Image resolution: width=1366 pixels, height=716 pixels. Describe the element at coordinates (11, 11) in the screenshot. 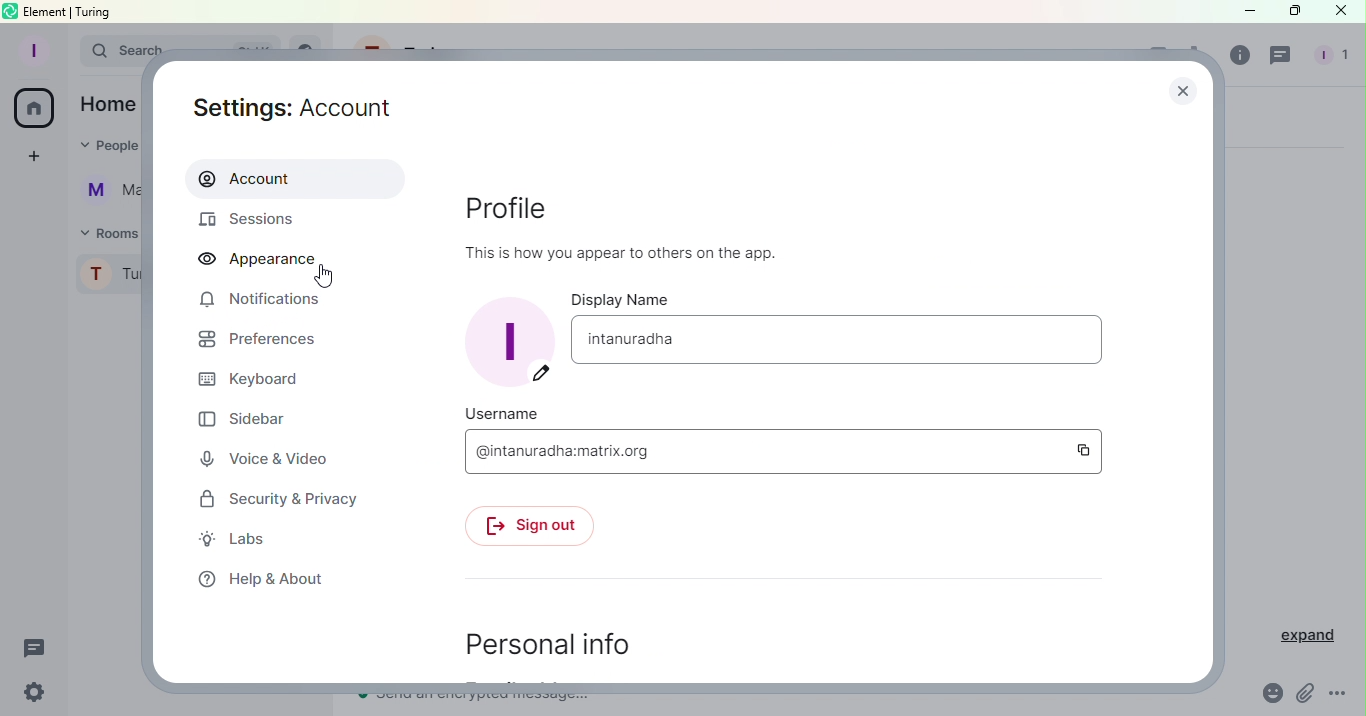

I see `element logo` at that location.